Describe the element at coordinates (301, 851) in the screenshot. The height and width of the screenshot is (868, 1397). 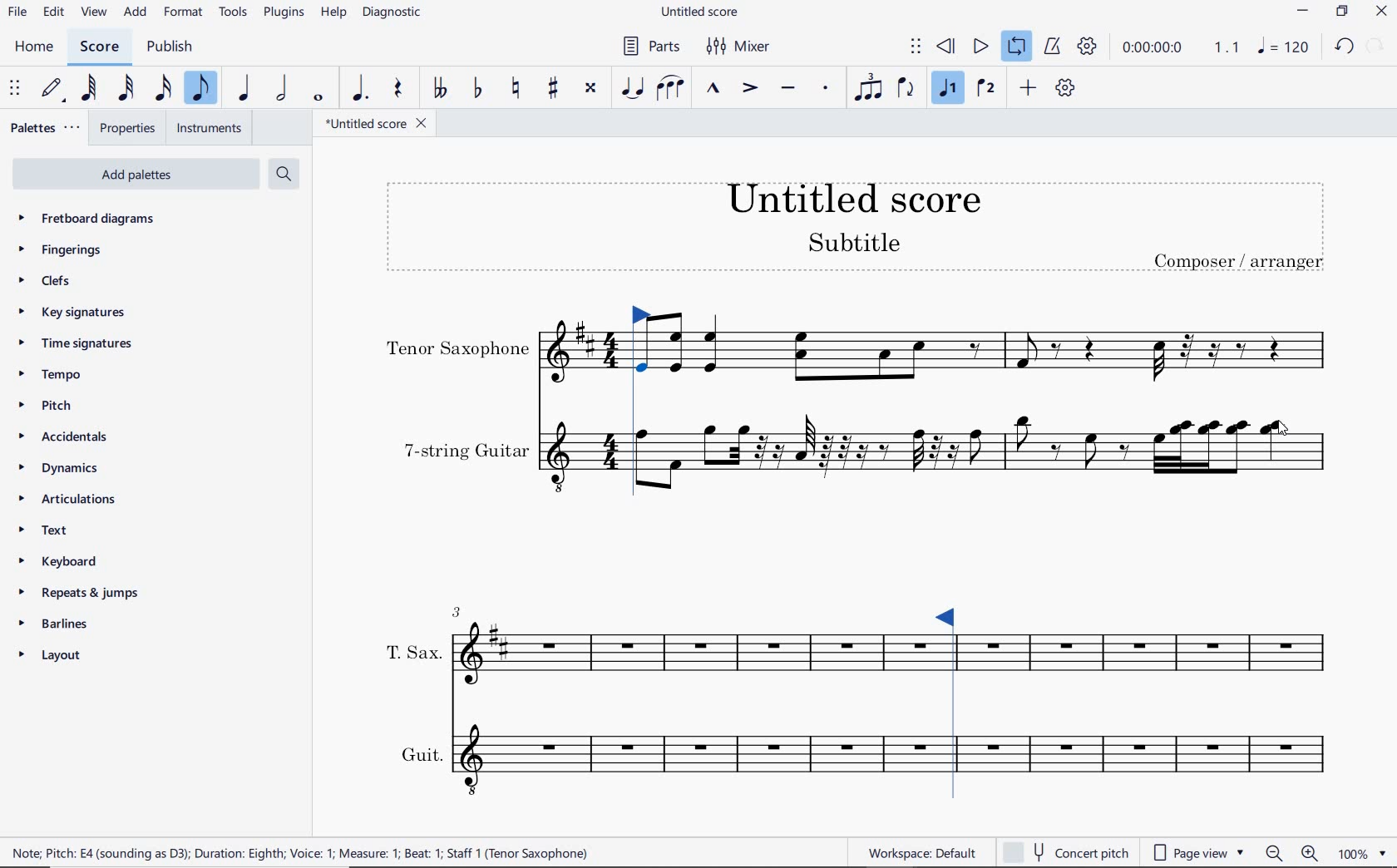
I see `score description` at that location.